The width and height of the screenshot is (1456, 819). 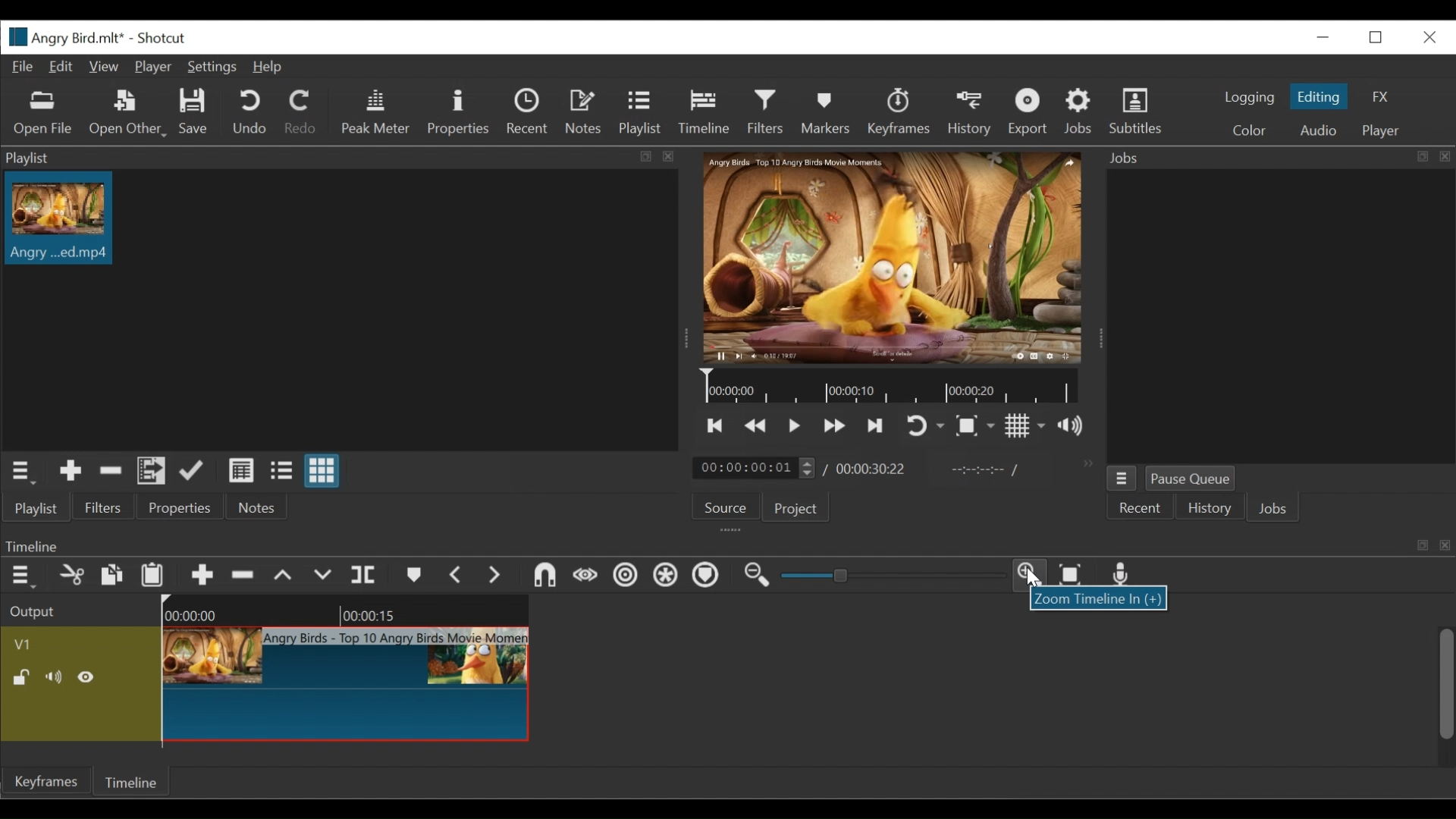 I want to click on Zoom timeline to fit, so click(x=1072, y=576).